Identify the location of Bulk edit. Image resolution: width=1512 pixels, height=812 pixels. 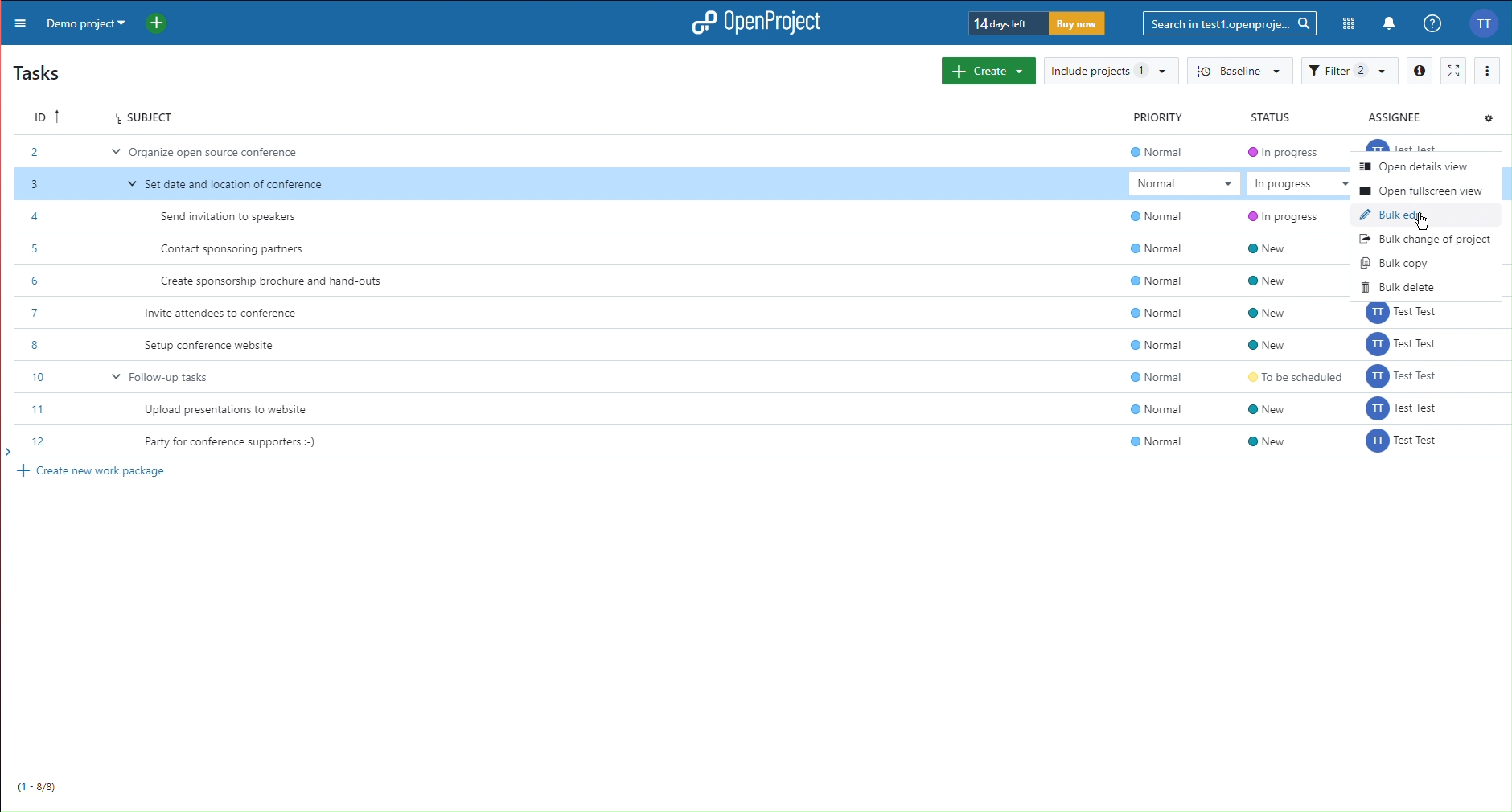
(1393, 211).